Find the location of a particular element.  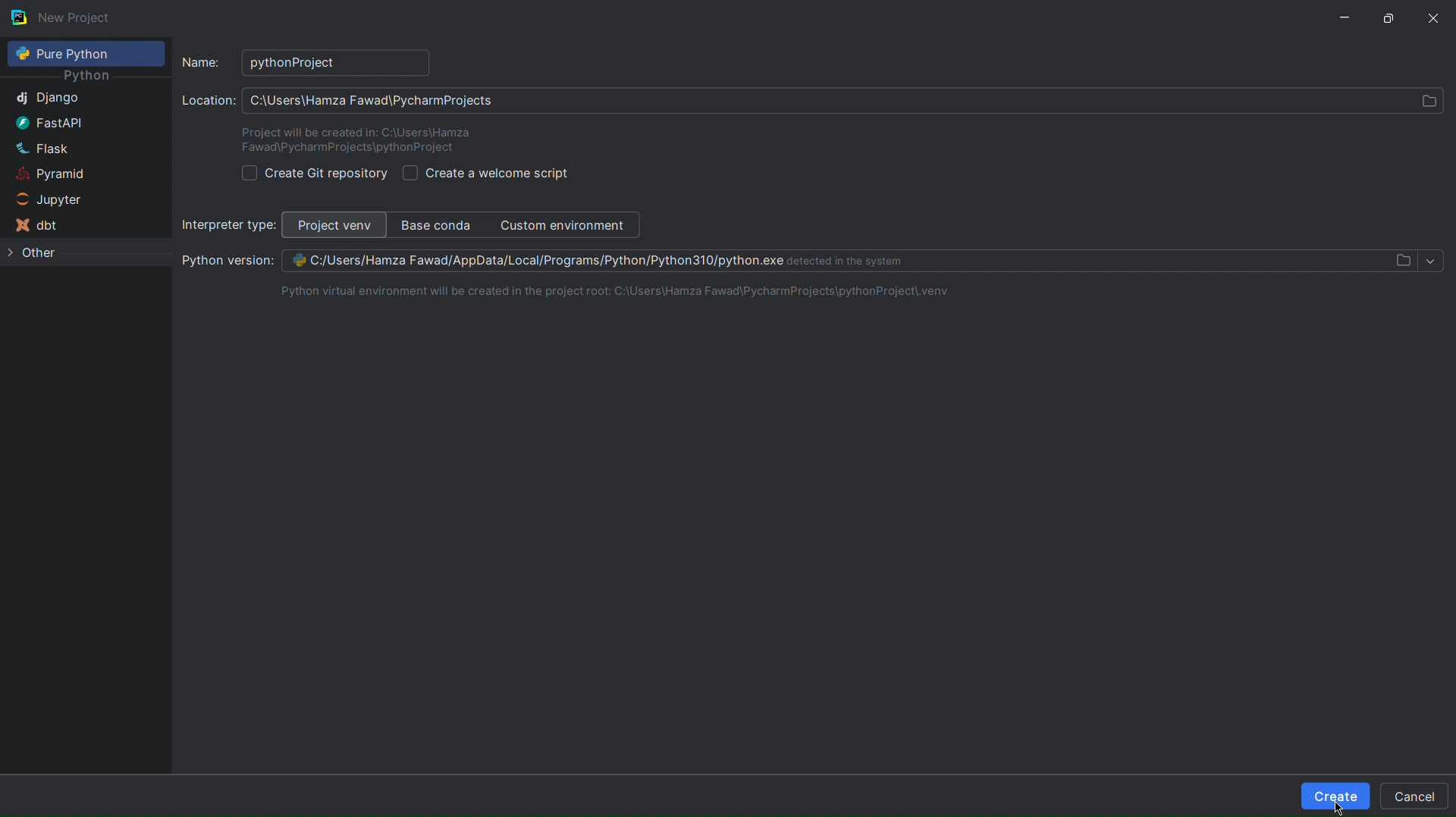

Cancel is located at coordinates (1417, 796).